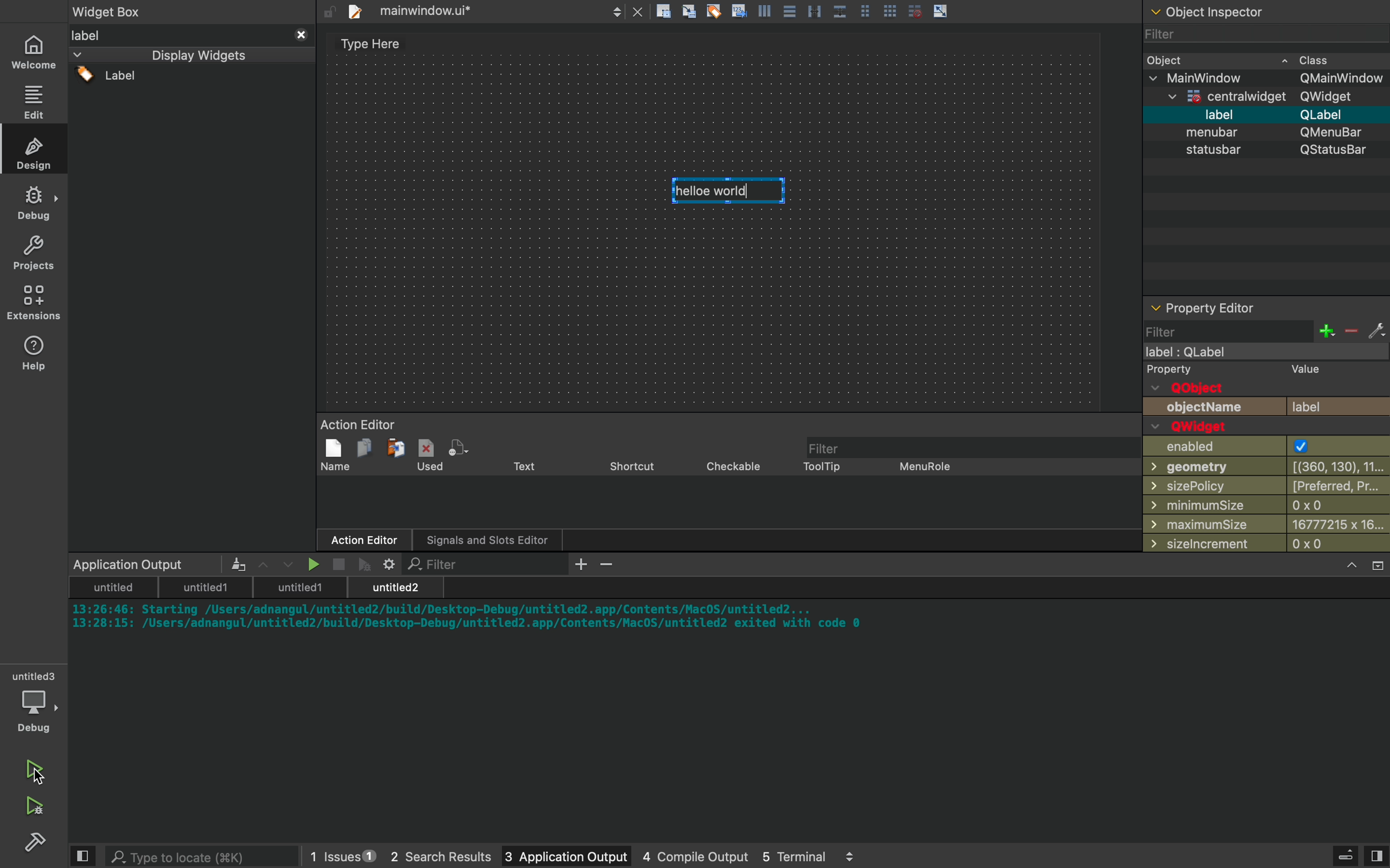 The width and height of the screenshot is (1390, 868). I want to click on , so click(1259, 98).